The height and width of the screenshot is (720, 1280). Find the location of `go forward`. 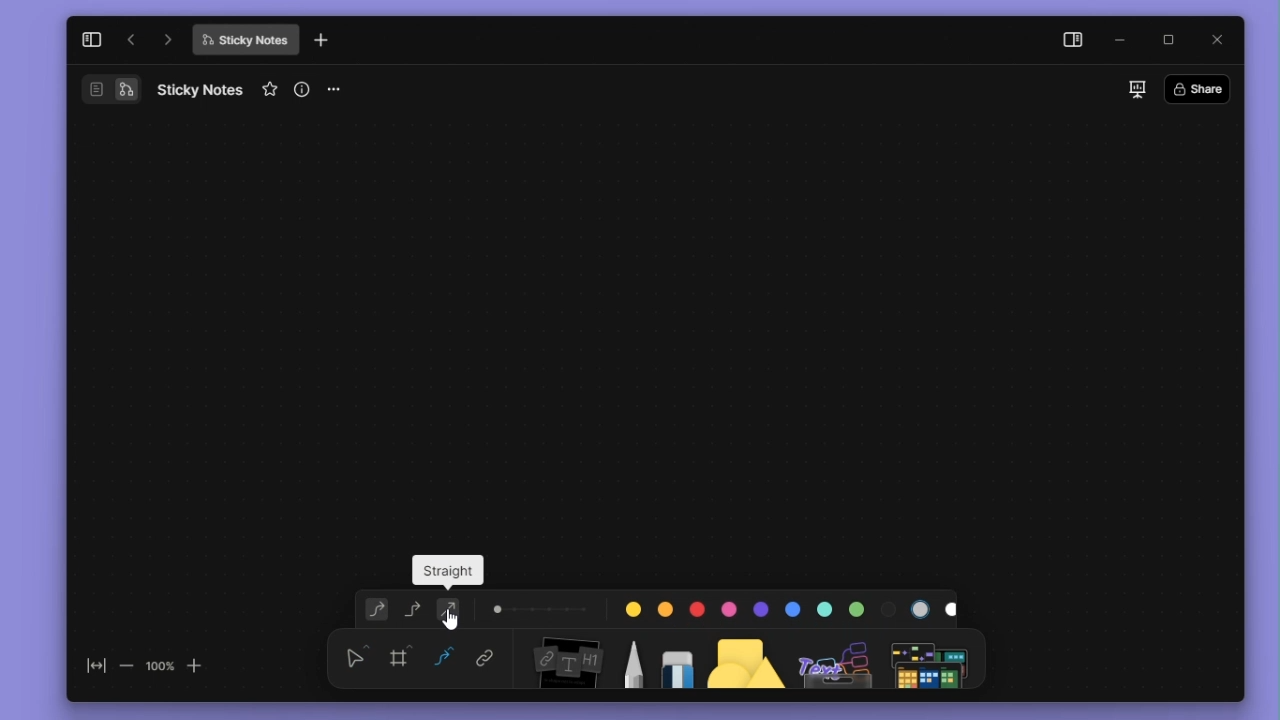

go forward is located at coordinates (168, 39).